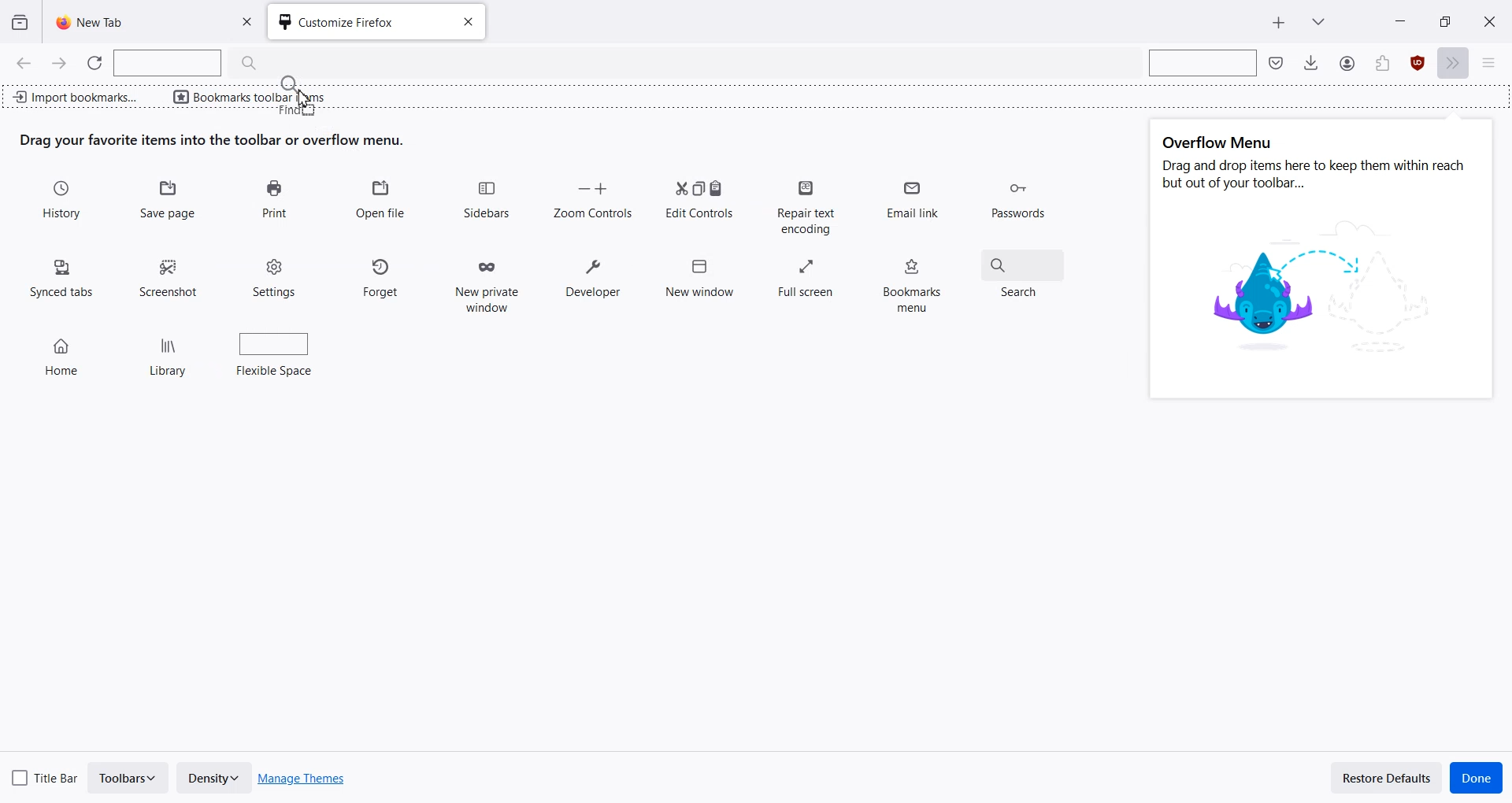 The image size is (1512, 803). Describe the element at coordinates (274, 200) in the screenshot. I see `Print` at that location.